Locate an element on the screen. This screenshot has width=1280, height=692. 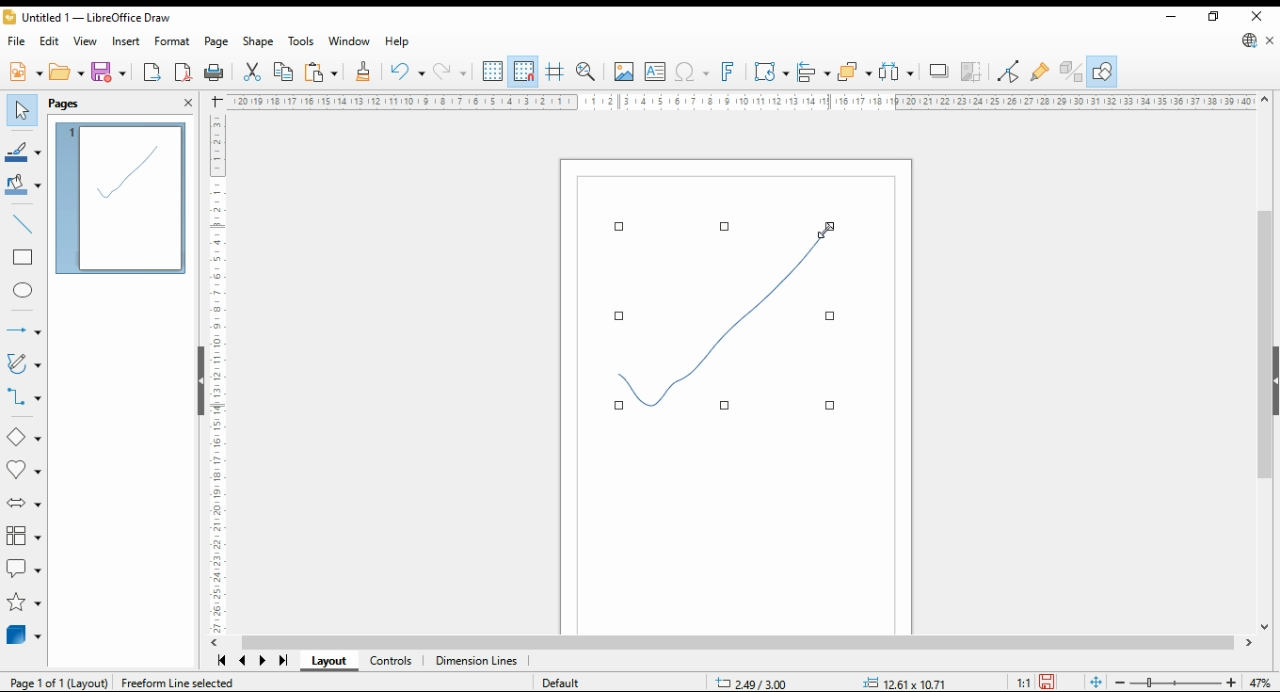
.00x 0.00 is located at coordinates (899, 682).